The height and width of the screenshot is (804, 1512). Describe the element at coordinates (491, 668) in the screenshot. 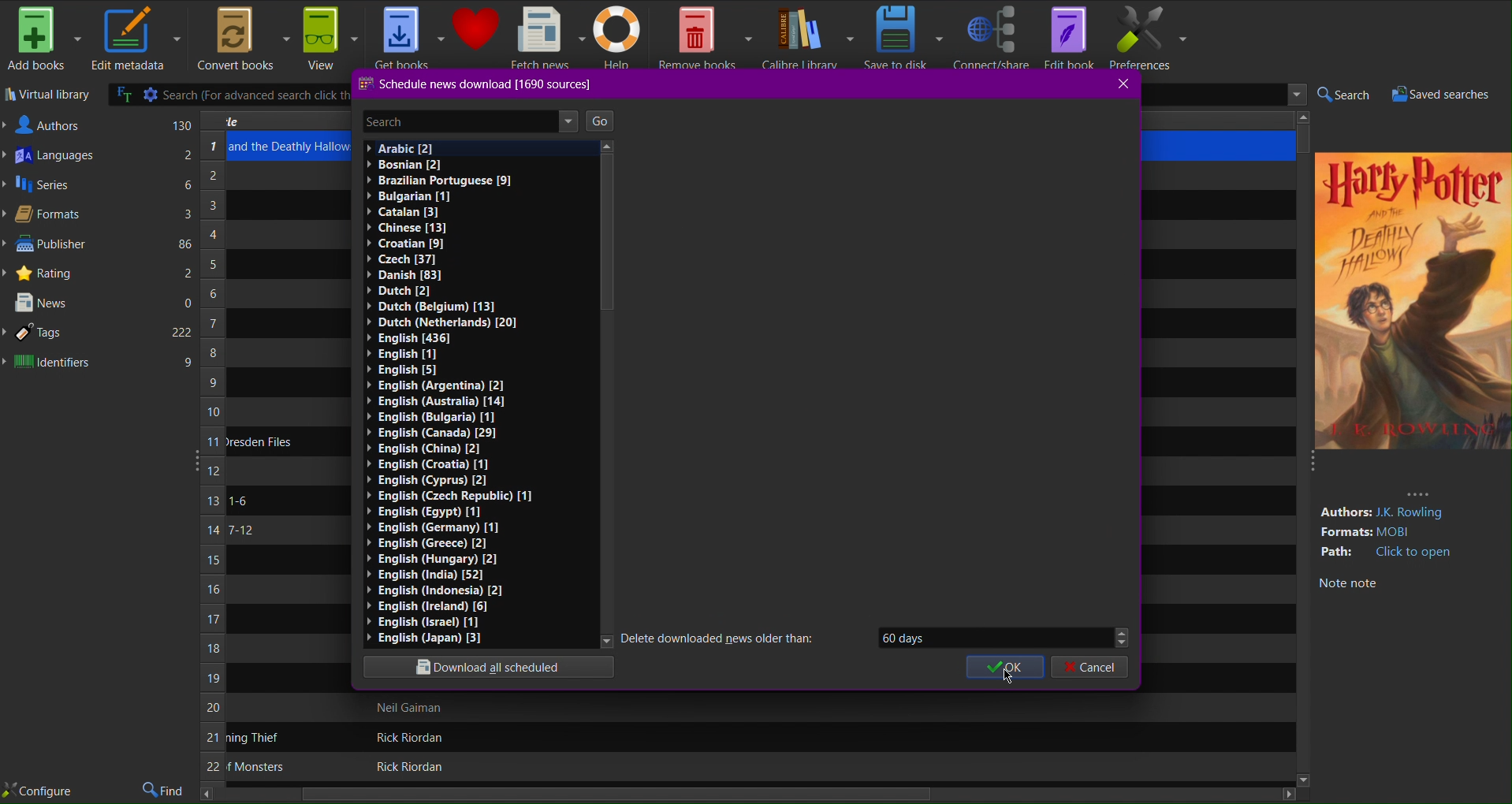

I see `Download all scheduled` at that location.